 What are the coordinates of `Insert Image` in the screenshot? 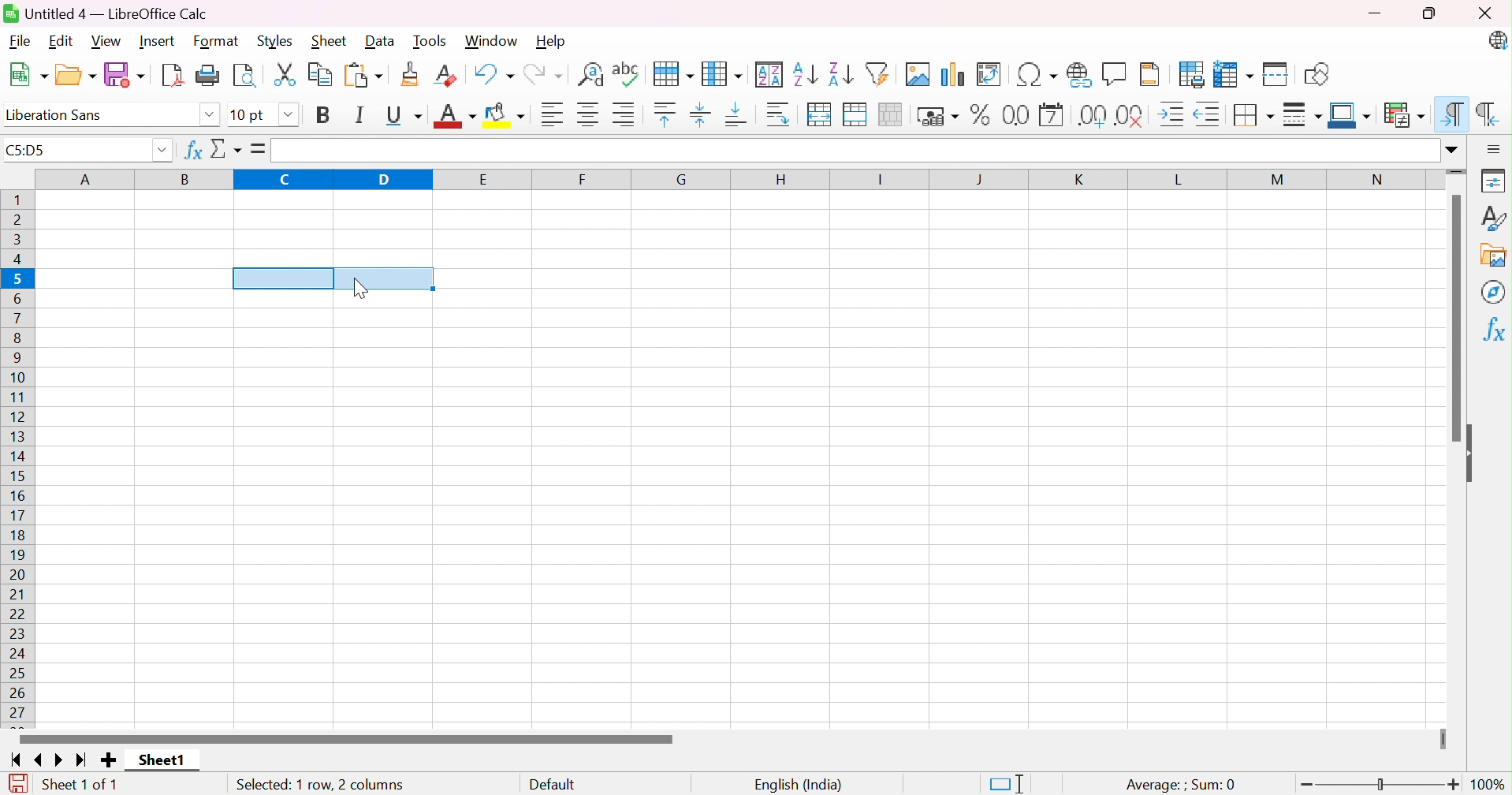 It's located at (917, 74).